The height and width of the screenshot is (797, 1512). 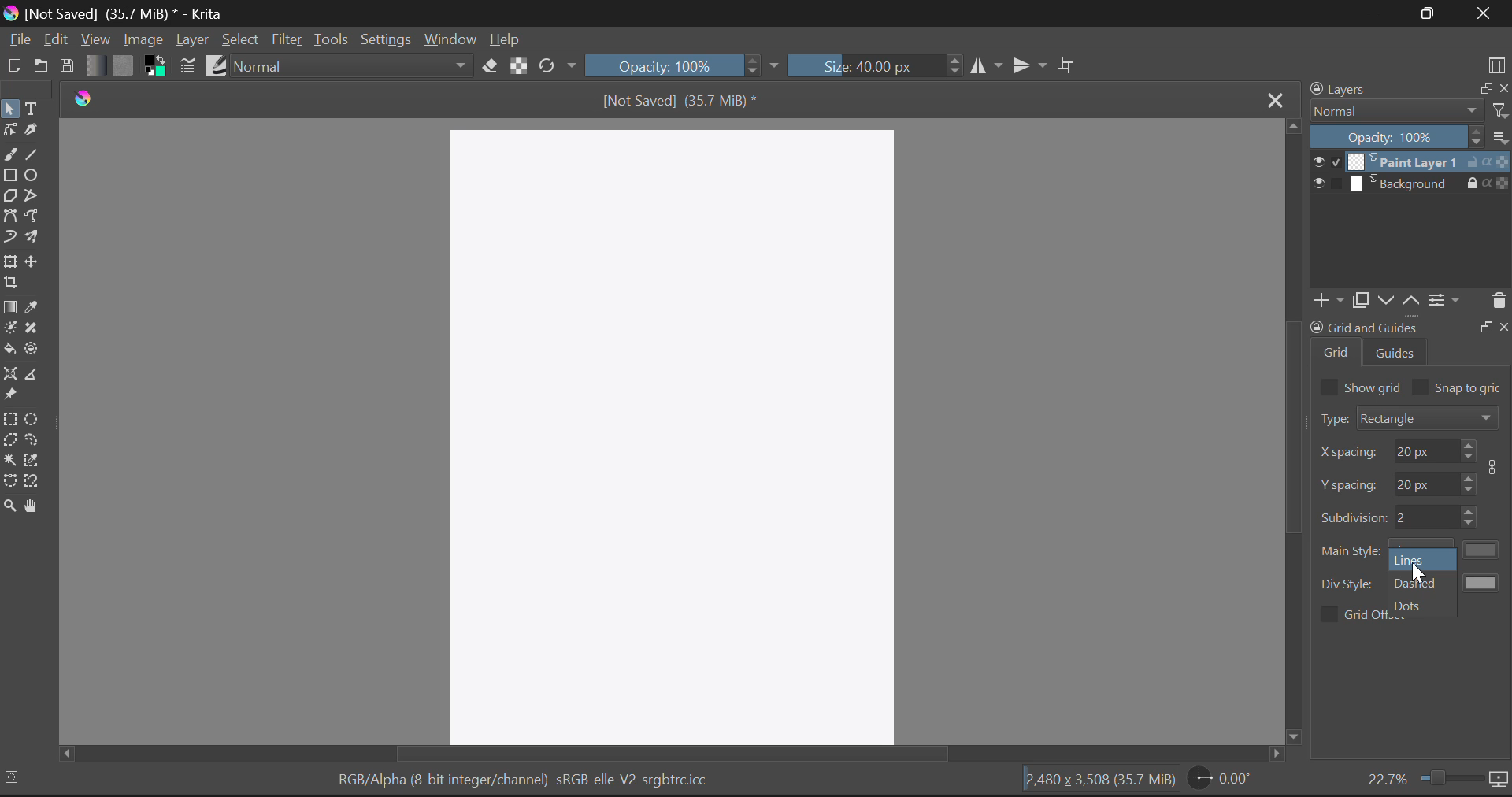 What do you see at coordinates (682, 65) in the screenshot?
I see `Opacity` at bounding box center [682, 65].